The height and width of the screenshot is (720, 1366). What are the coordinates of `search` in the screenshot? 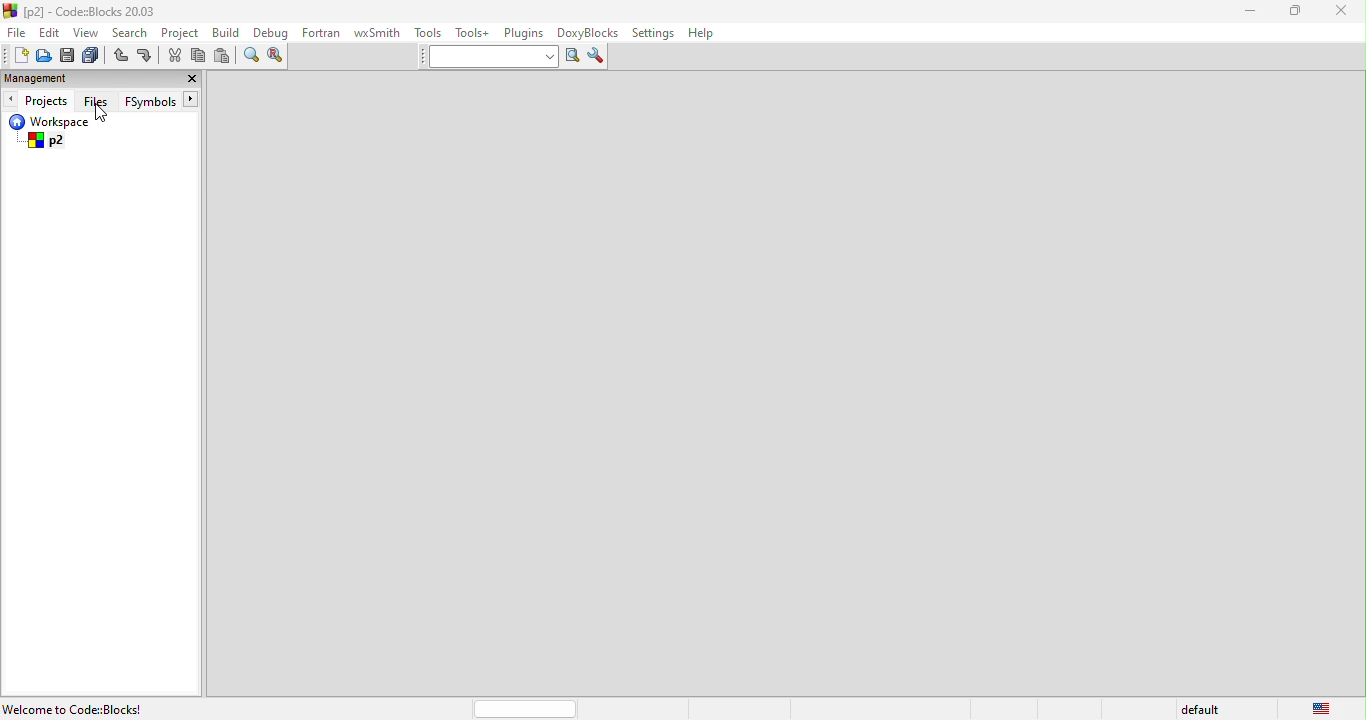 It's located at (133, 33).